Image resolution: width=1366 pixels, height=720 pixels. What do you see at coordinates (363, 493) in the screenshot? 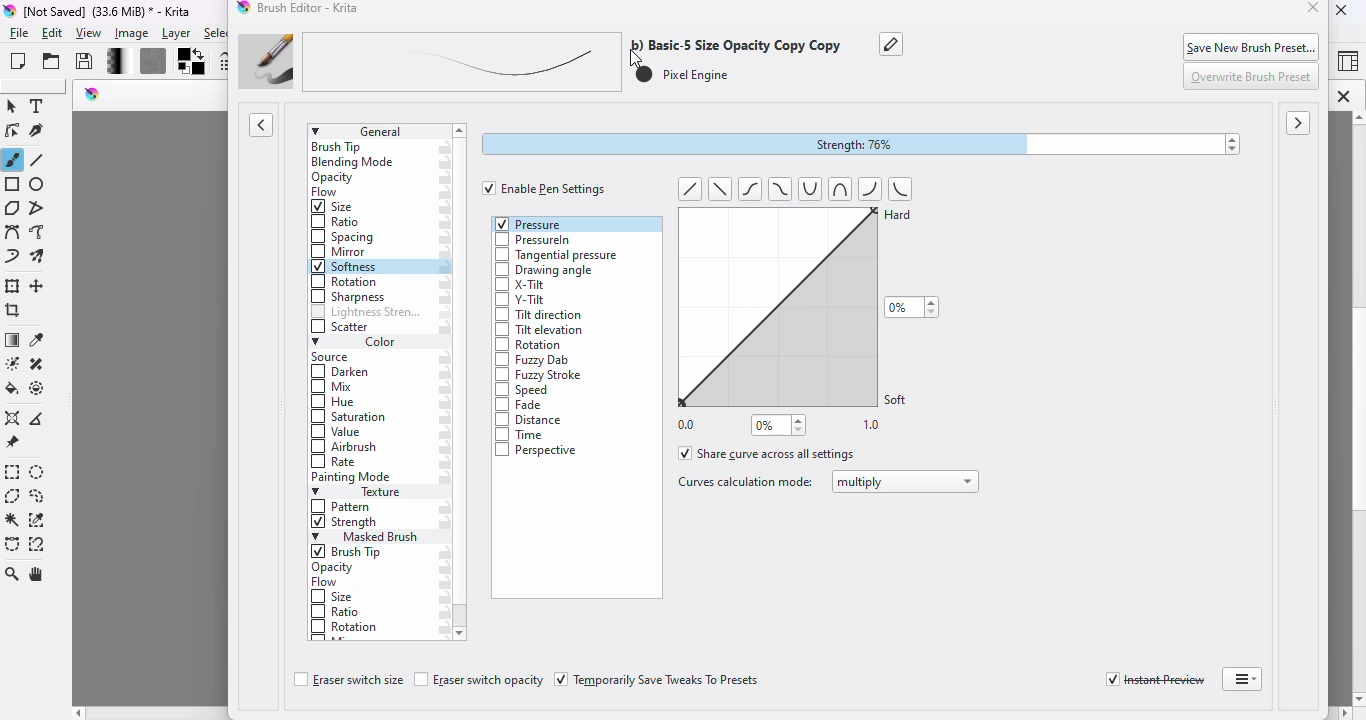
I see `texture` at bounding box center [363, 493].